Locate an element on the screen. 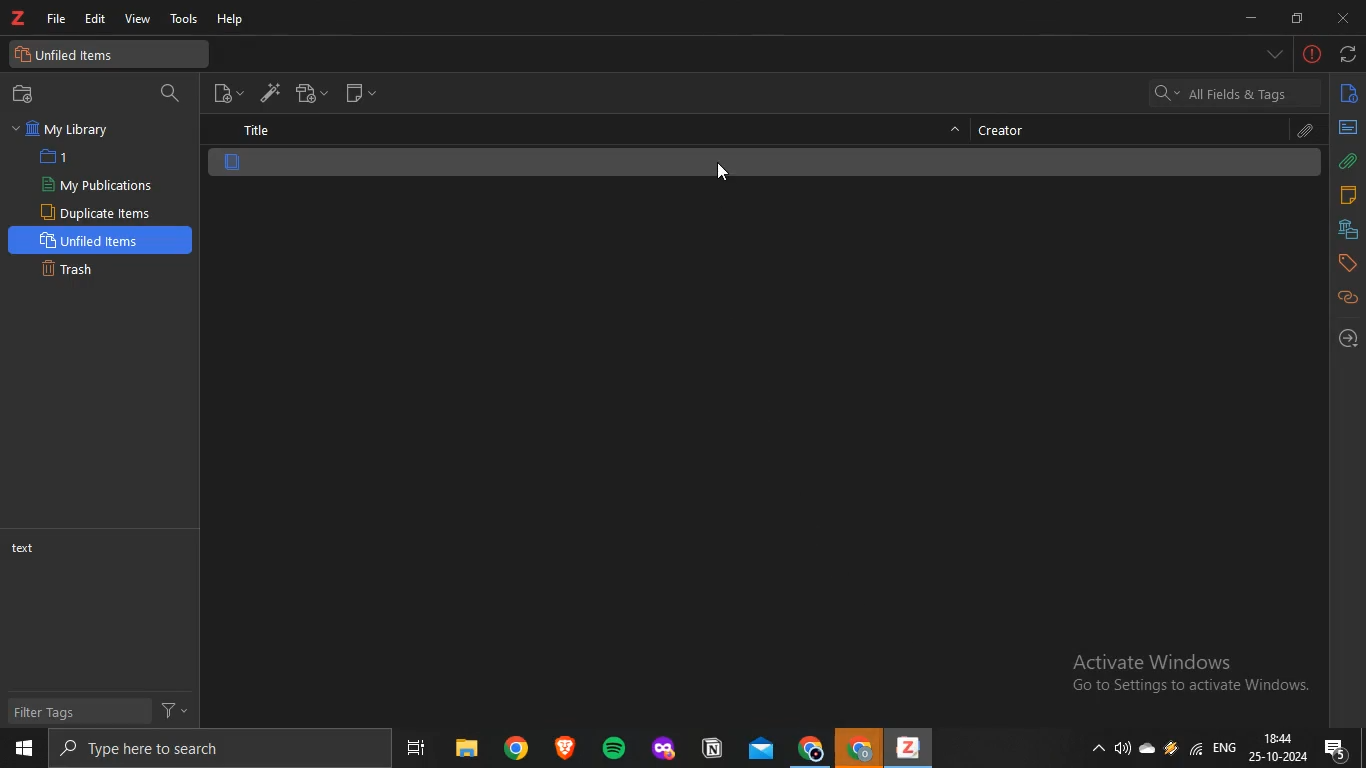  related is located at coordinates (1350, 296).